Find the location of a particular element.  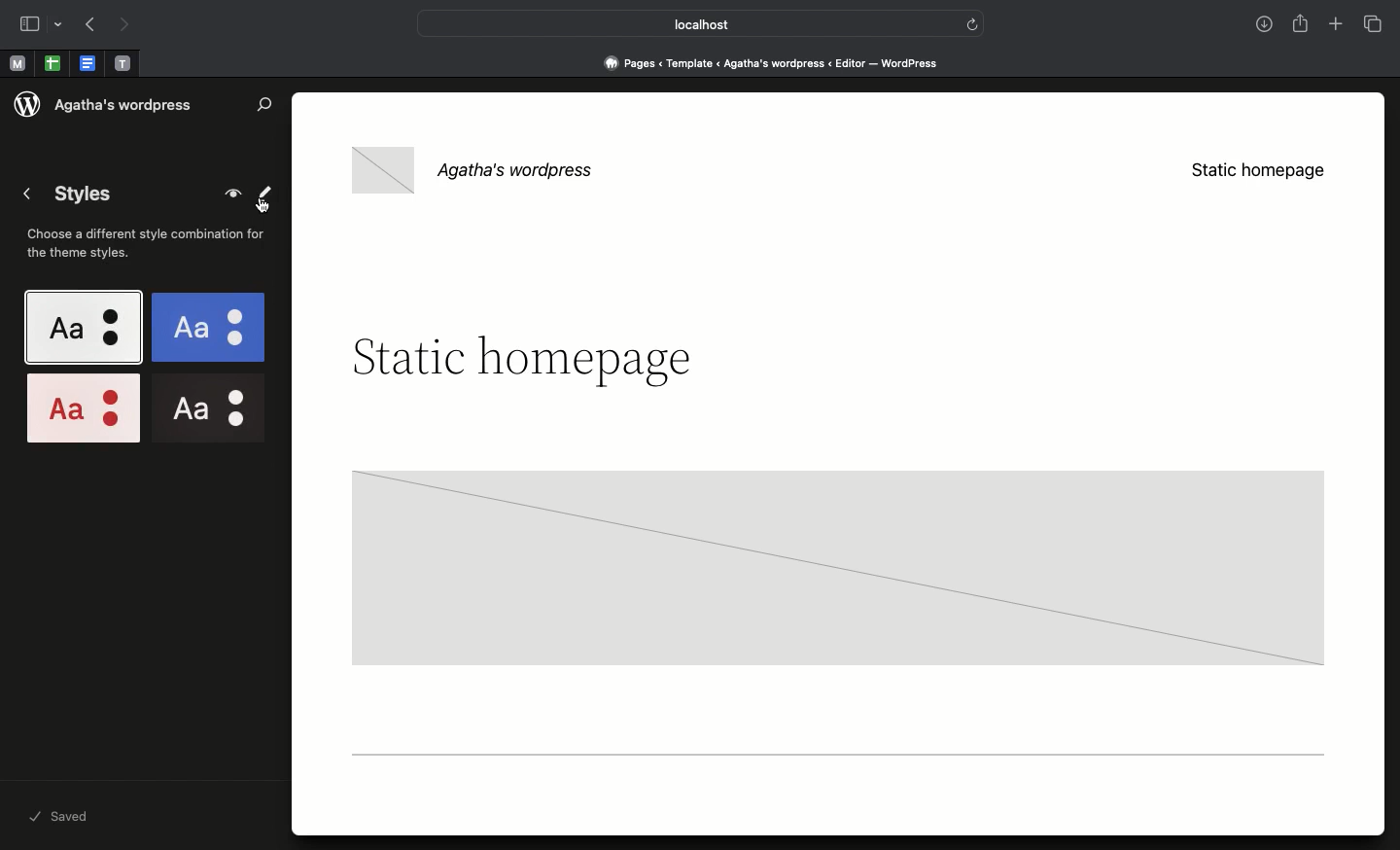

drop-down is located at coordinates (61, 25).